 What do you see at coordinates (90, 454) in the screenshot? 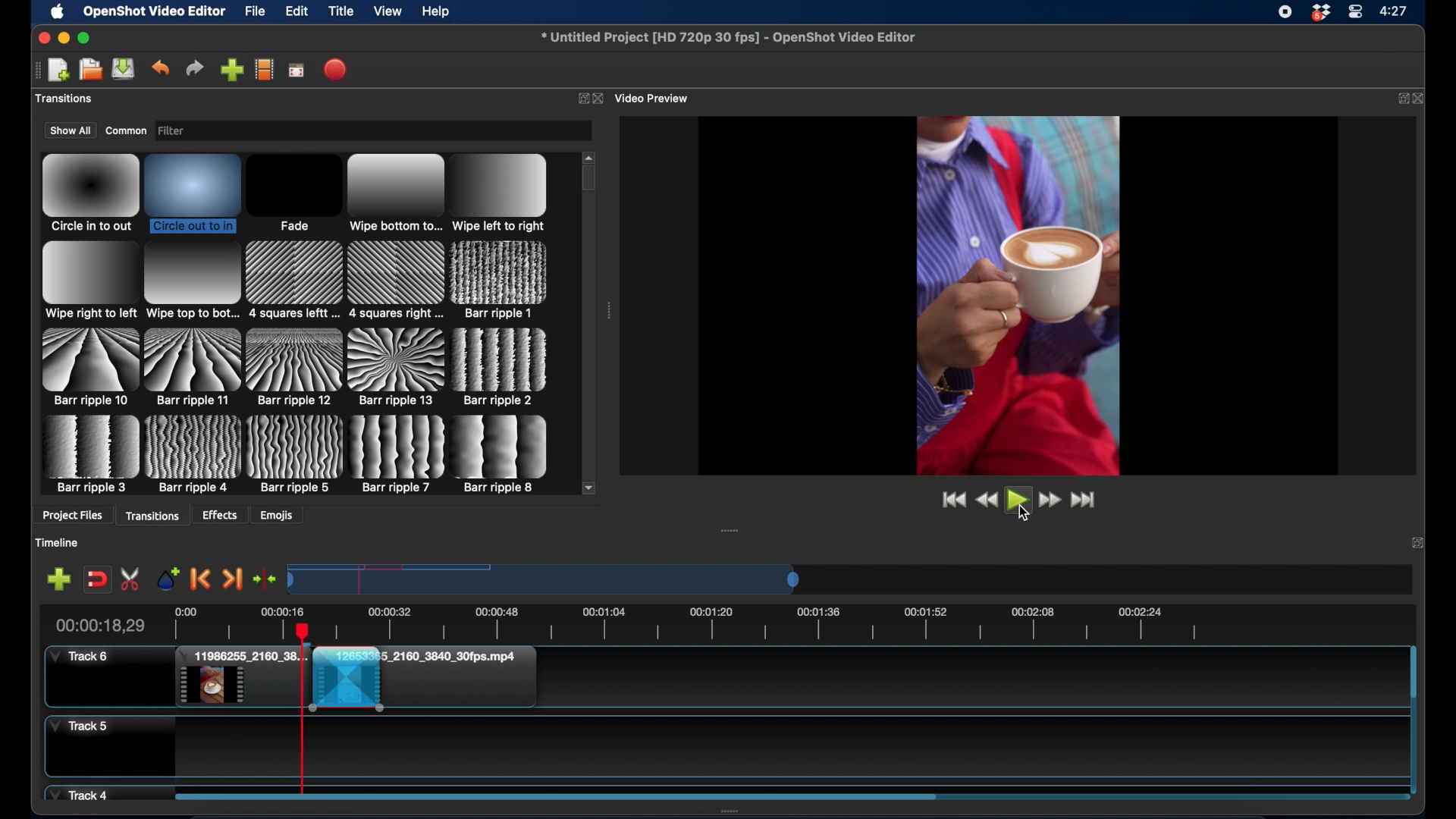
I see `transition` at bounding box center [90, 454].